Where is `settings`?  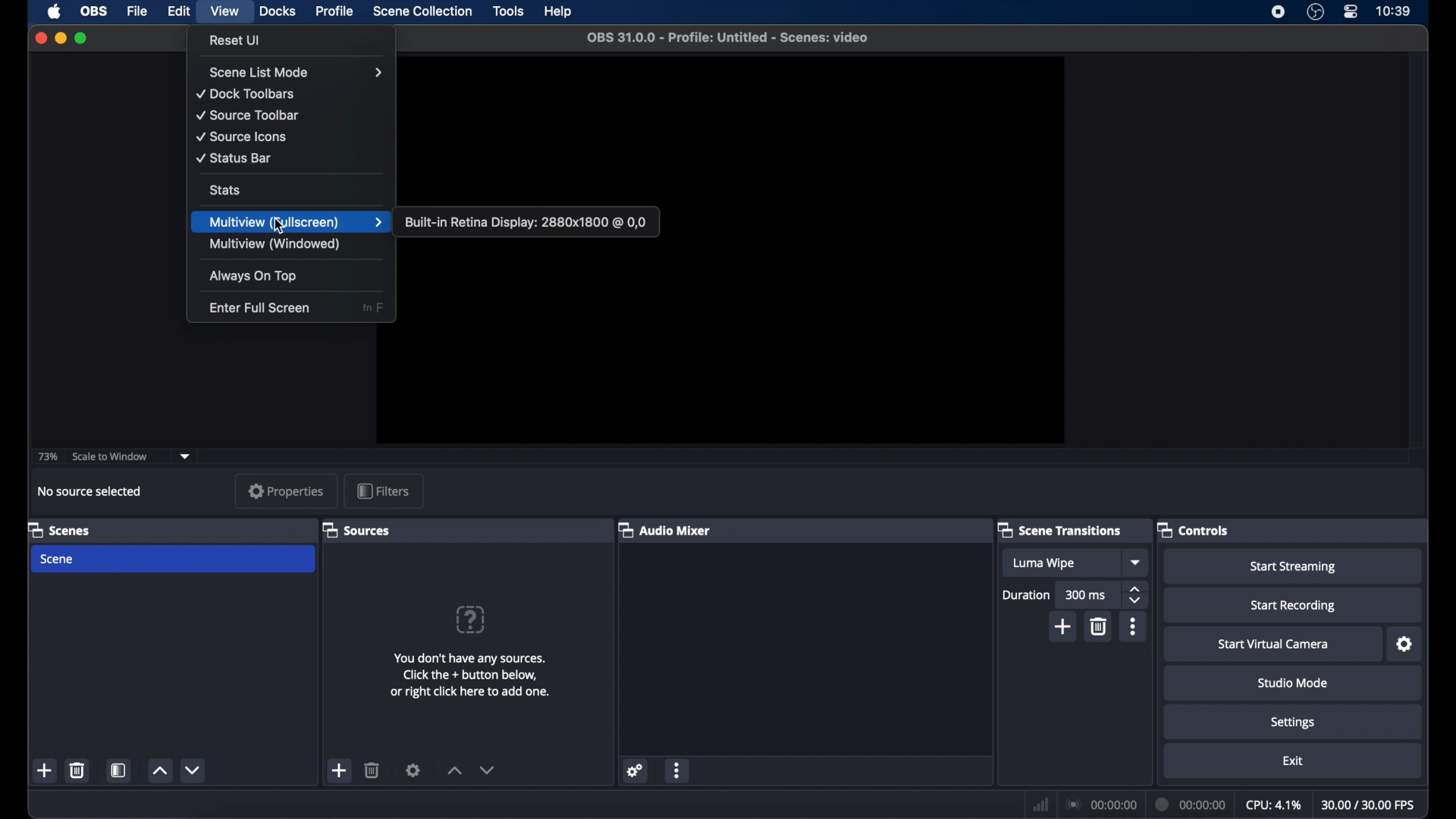 settings is located at coordinates (1295, 721).